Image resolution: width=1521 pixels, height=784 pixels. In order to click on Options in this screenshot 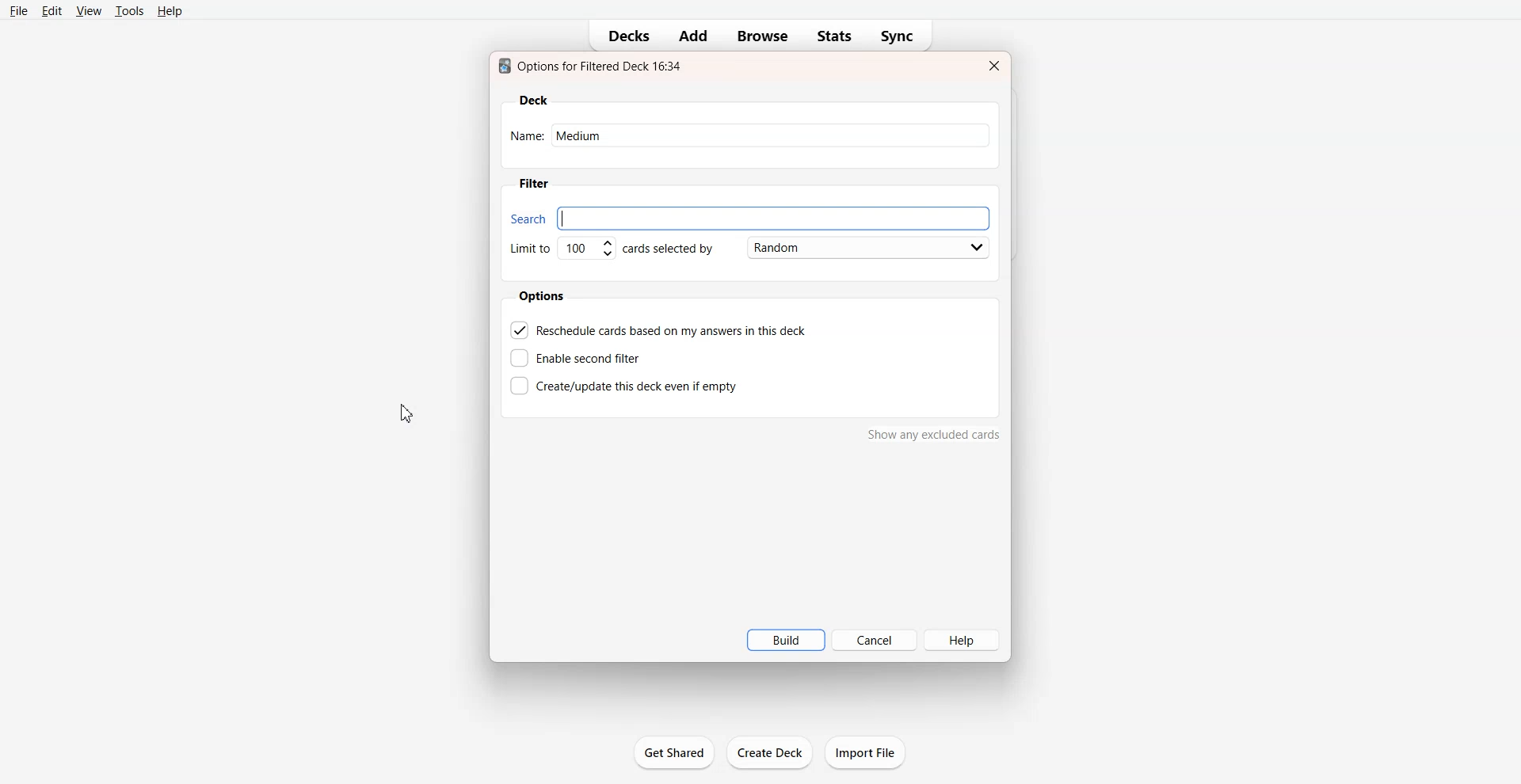, I will do `click(544, 296)`.